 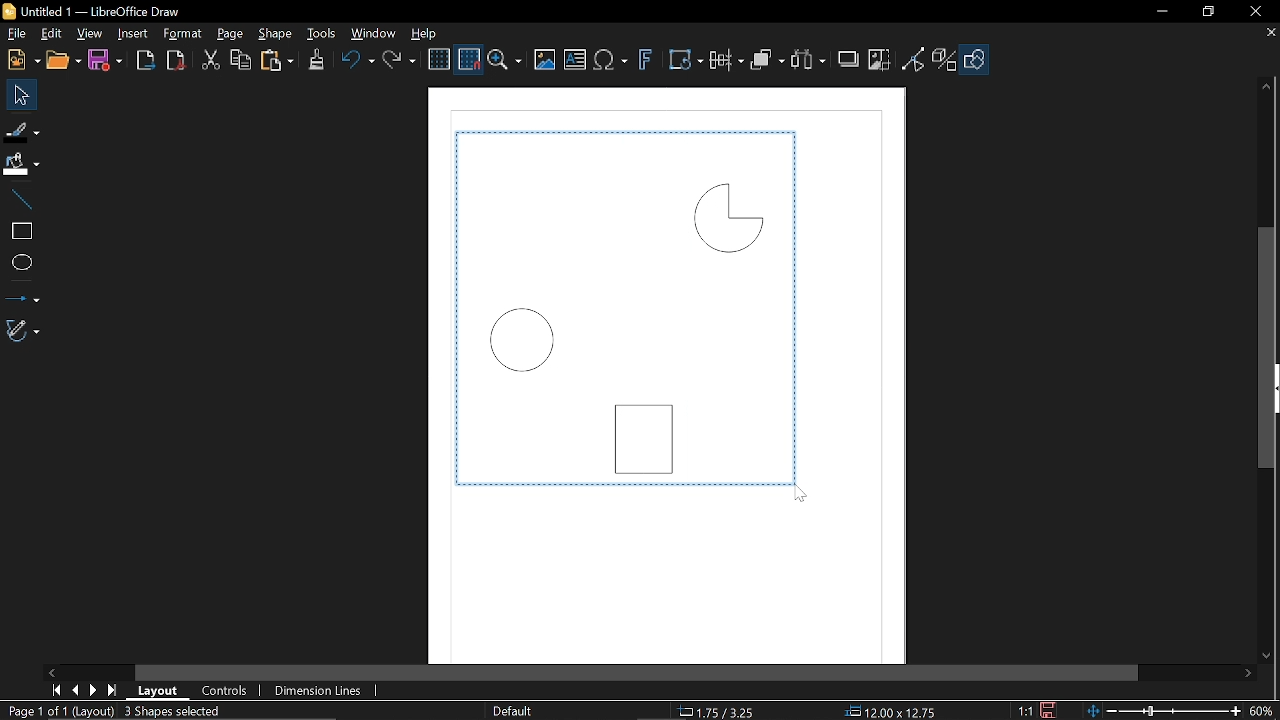 I want to click on Insert, so click(x=133, y=32).